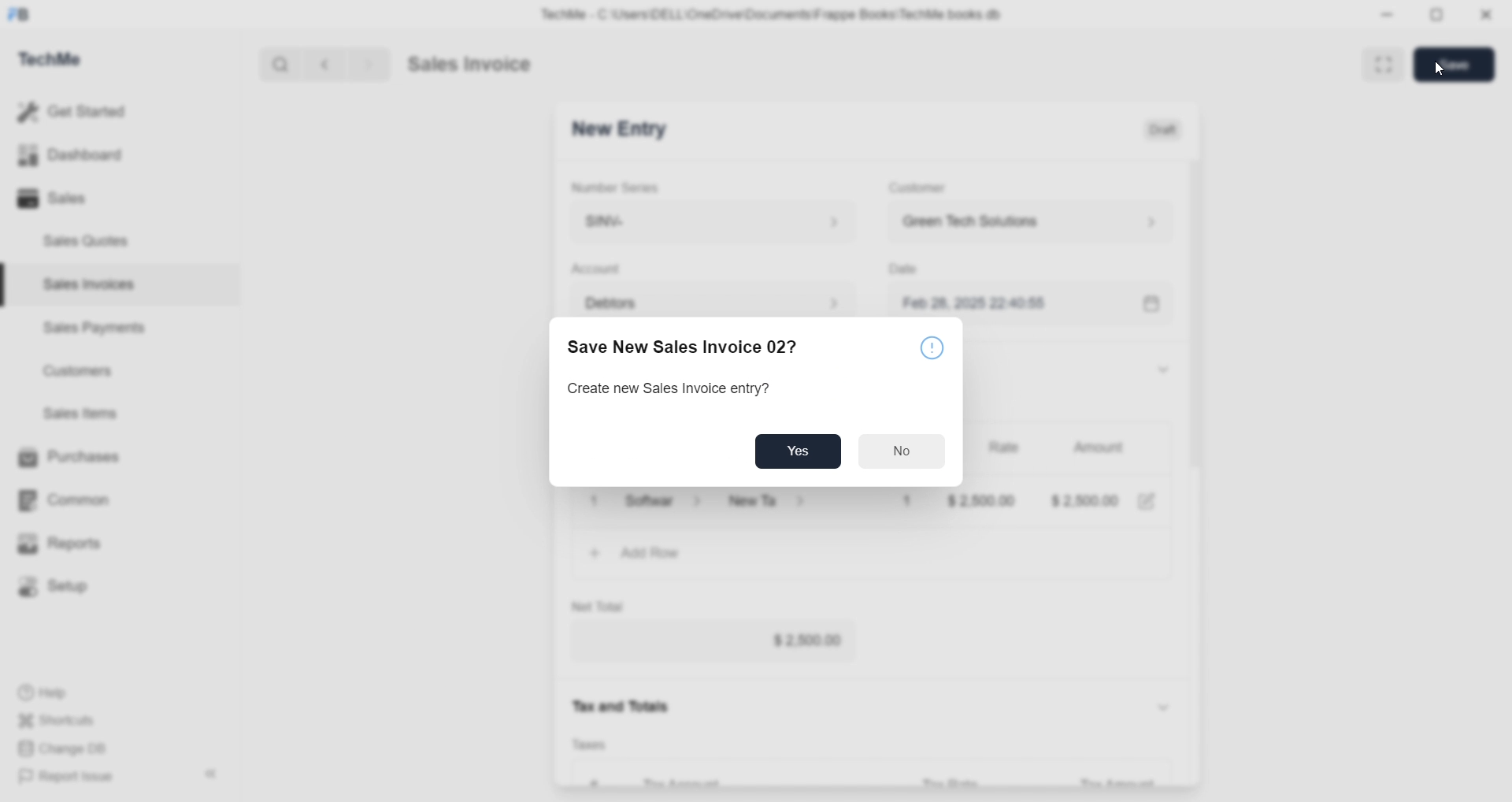  What do you see at coordinates (684, 347) in the screenshot?
I see `Save New Sales Invoice 02?` at bounding box center [684, 347].